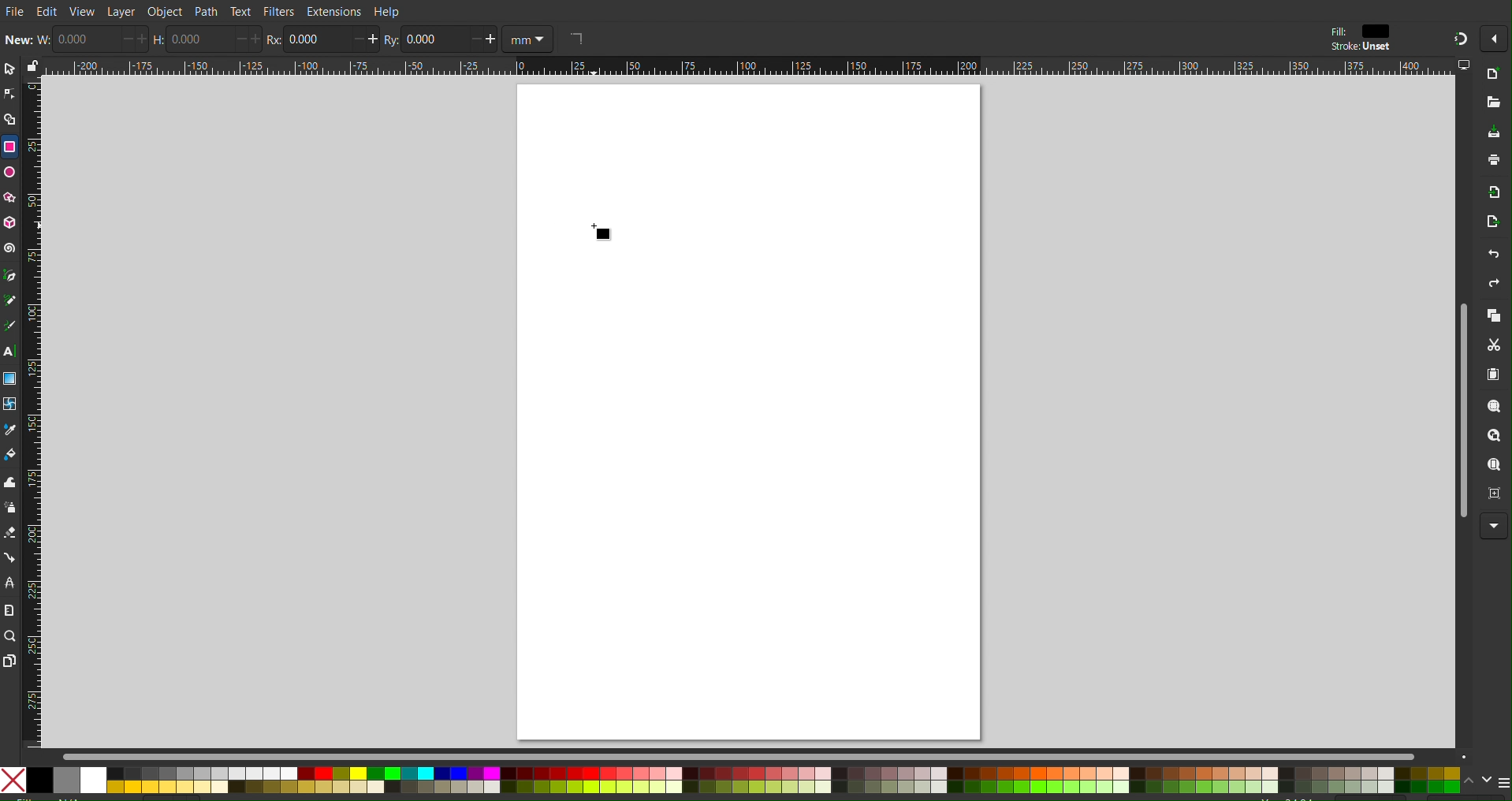  I want to click on rectangle shape, so click(575, 38).